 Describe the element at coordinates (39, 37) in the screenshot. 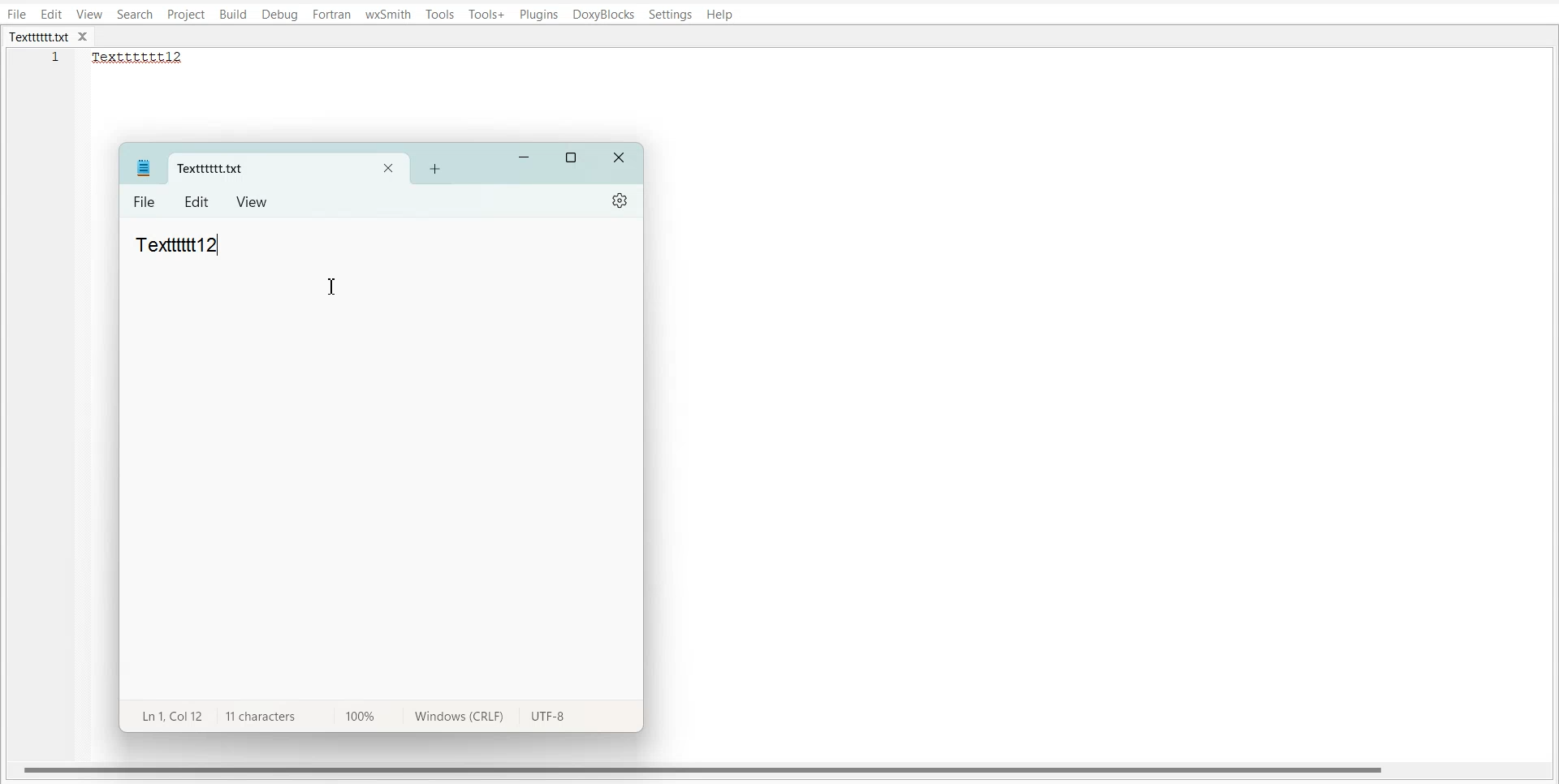

I see `Textttttt.txt` at that location.